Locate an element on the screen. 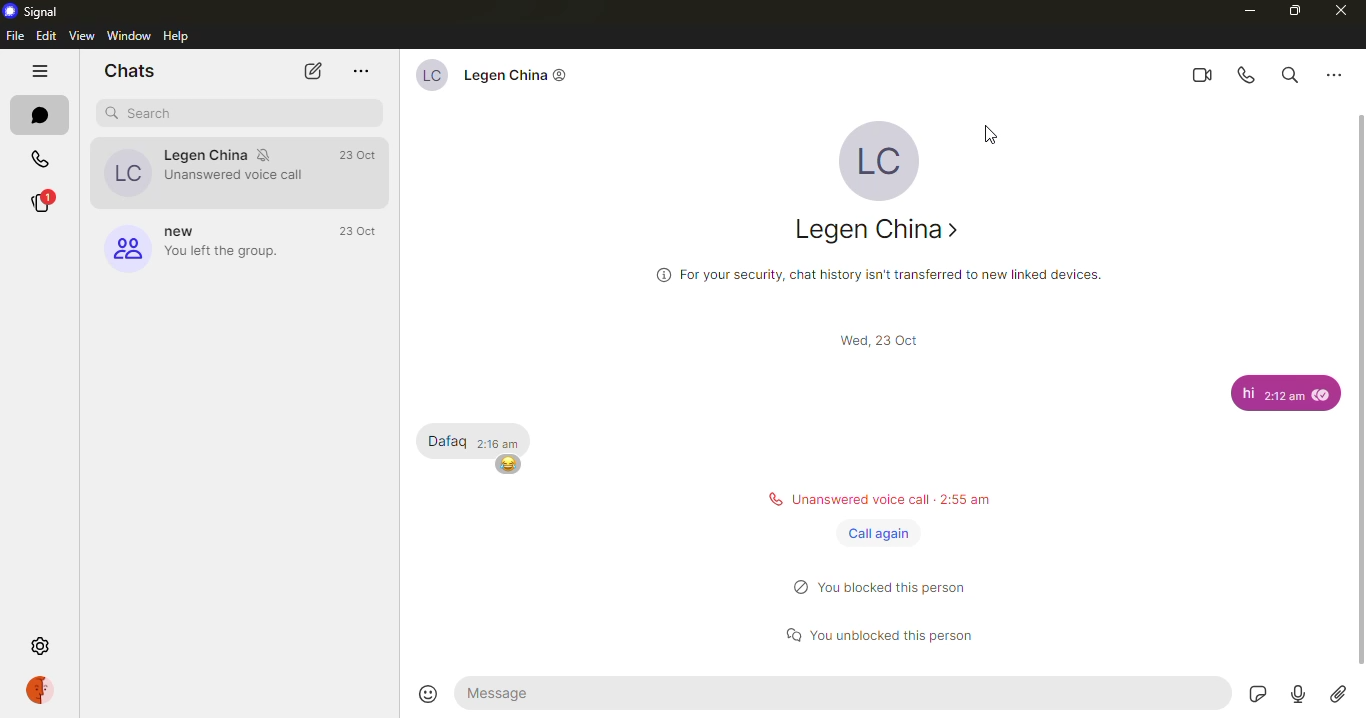  chats is located at coordinates (40, 115).